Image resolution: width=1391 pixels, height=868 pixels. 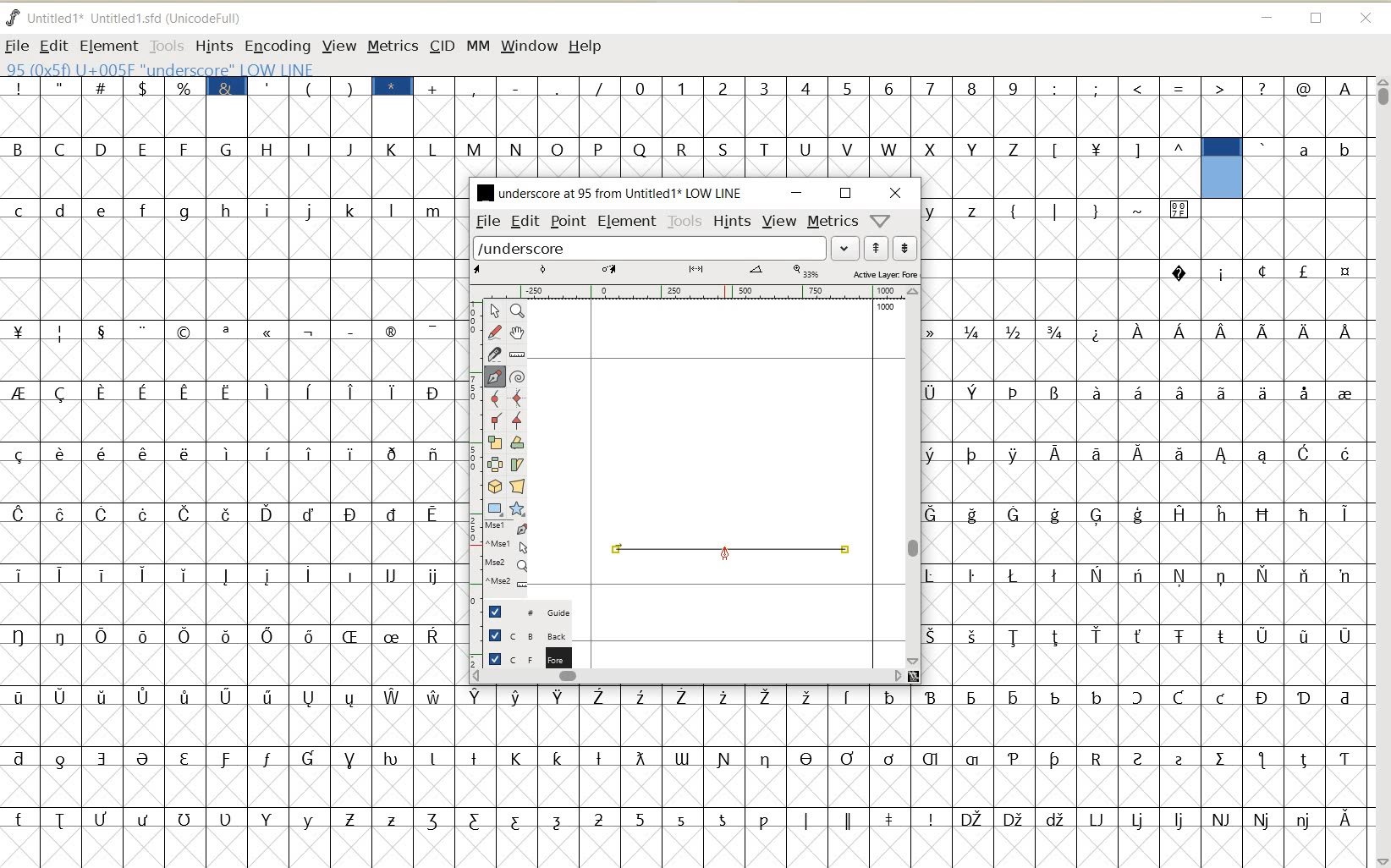 I want to click on FILE, so click(x=487, y=222).